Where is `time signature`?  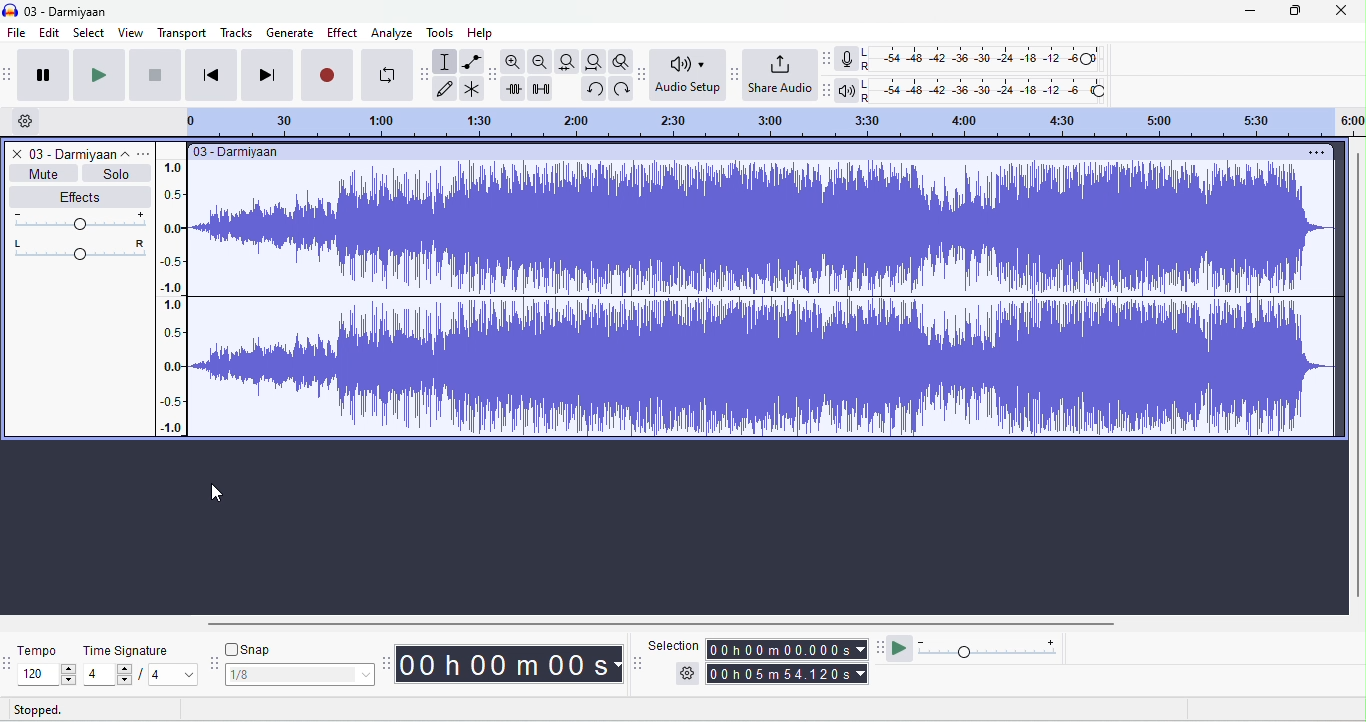
time signature is located at coordinates (128, 648).